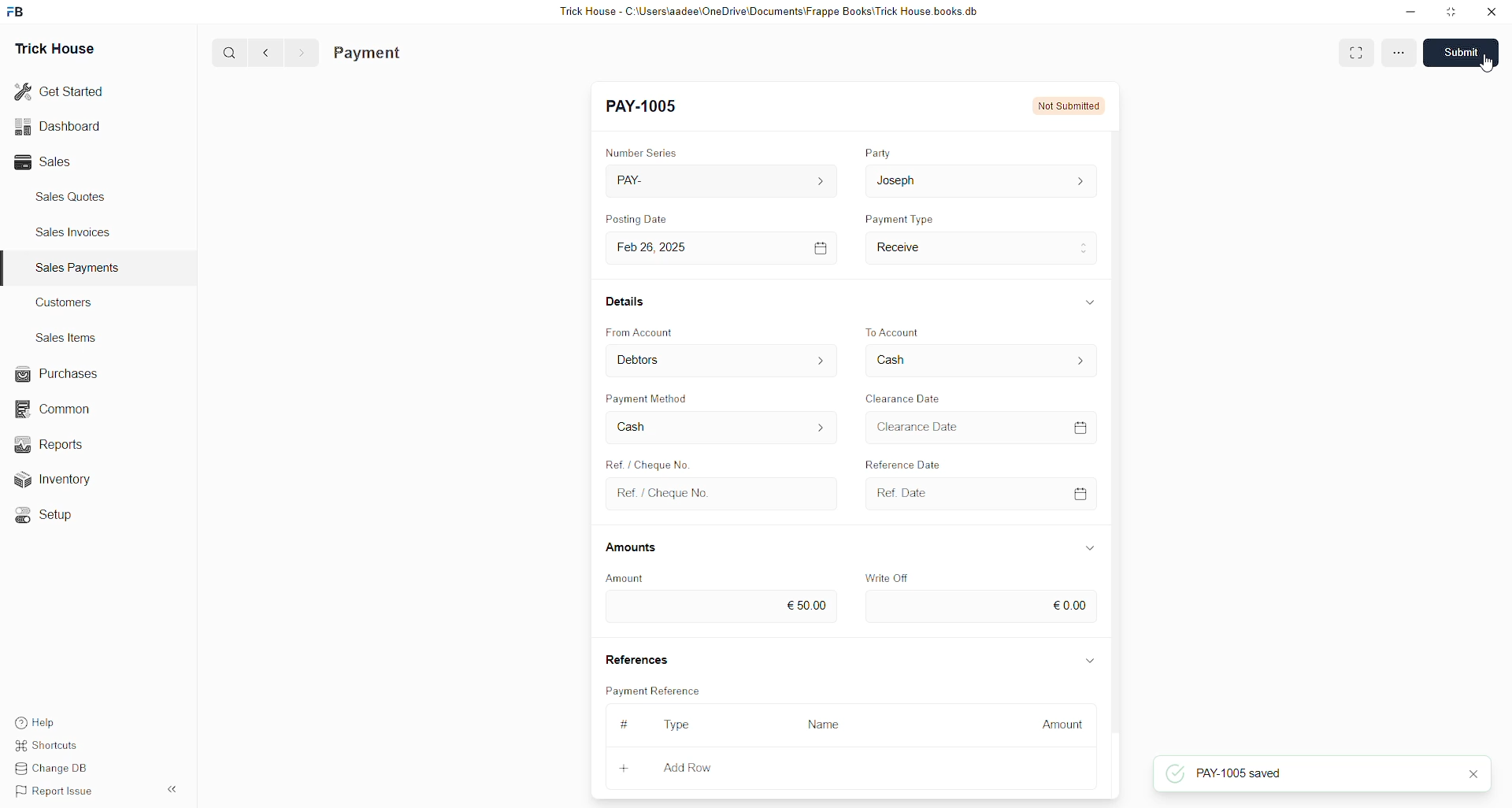  What do you see at coordinates (1069, 106) in the screenshot?
I see `Not Submitted` at bounding box center [1069, 106].